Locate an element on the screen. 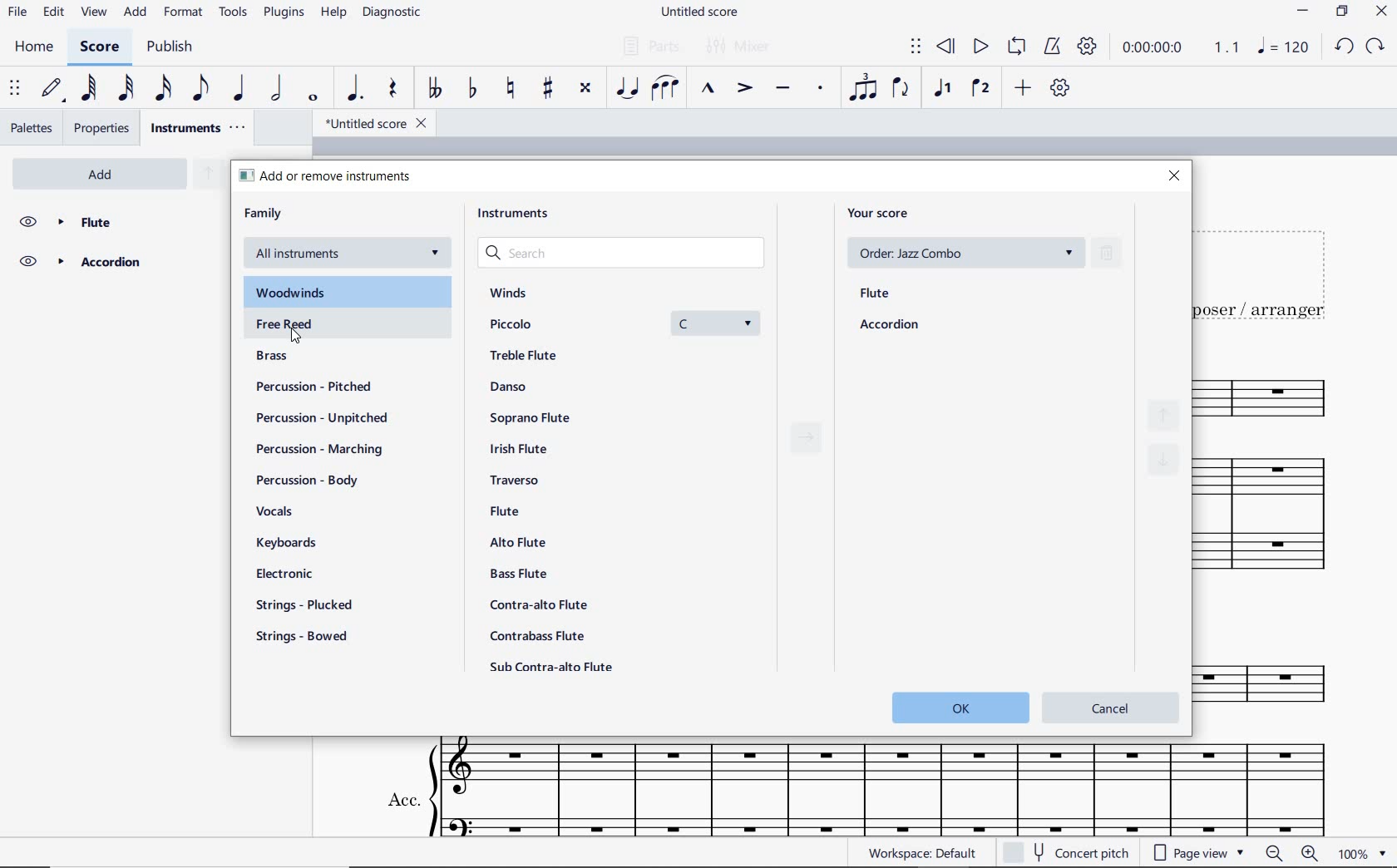  workspace: default is located at coordinates (920, 852).